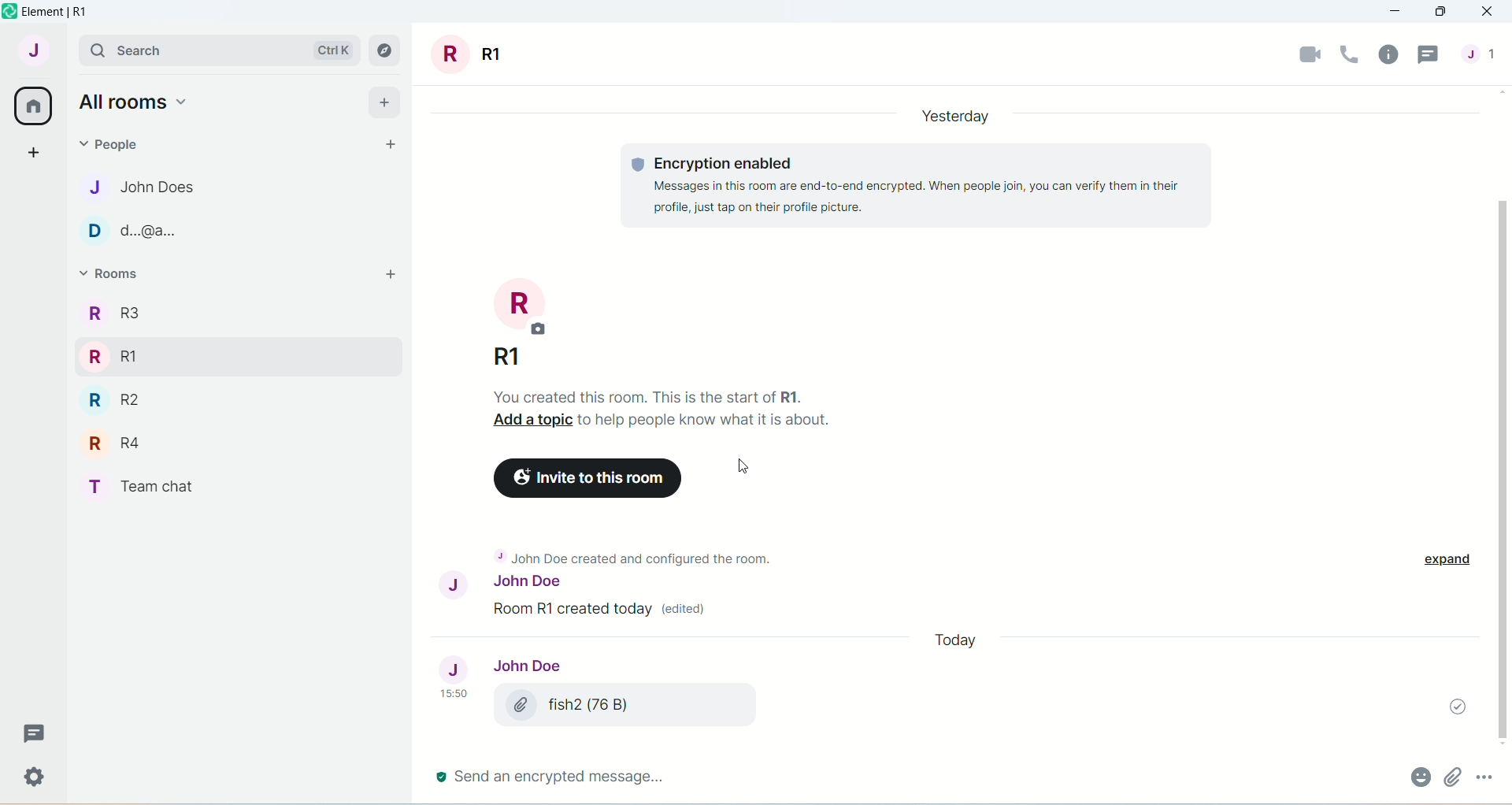 The image size is (1512, 805). Describe the element at coordinates (1420, 777) in the screenshot. I see `attachment` at that location.